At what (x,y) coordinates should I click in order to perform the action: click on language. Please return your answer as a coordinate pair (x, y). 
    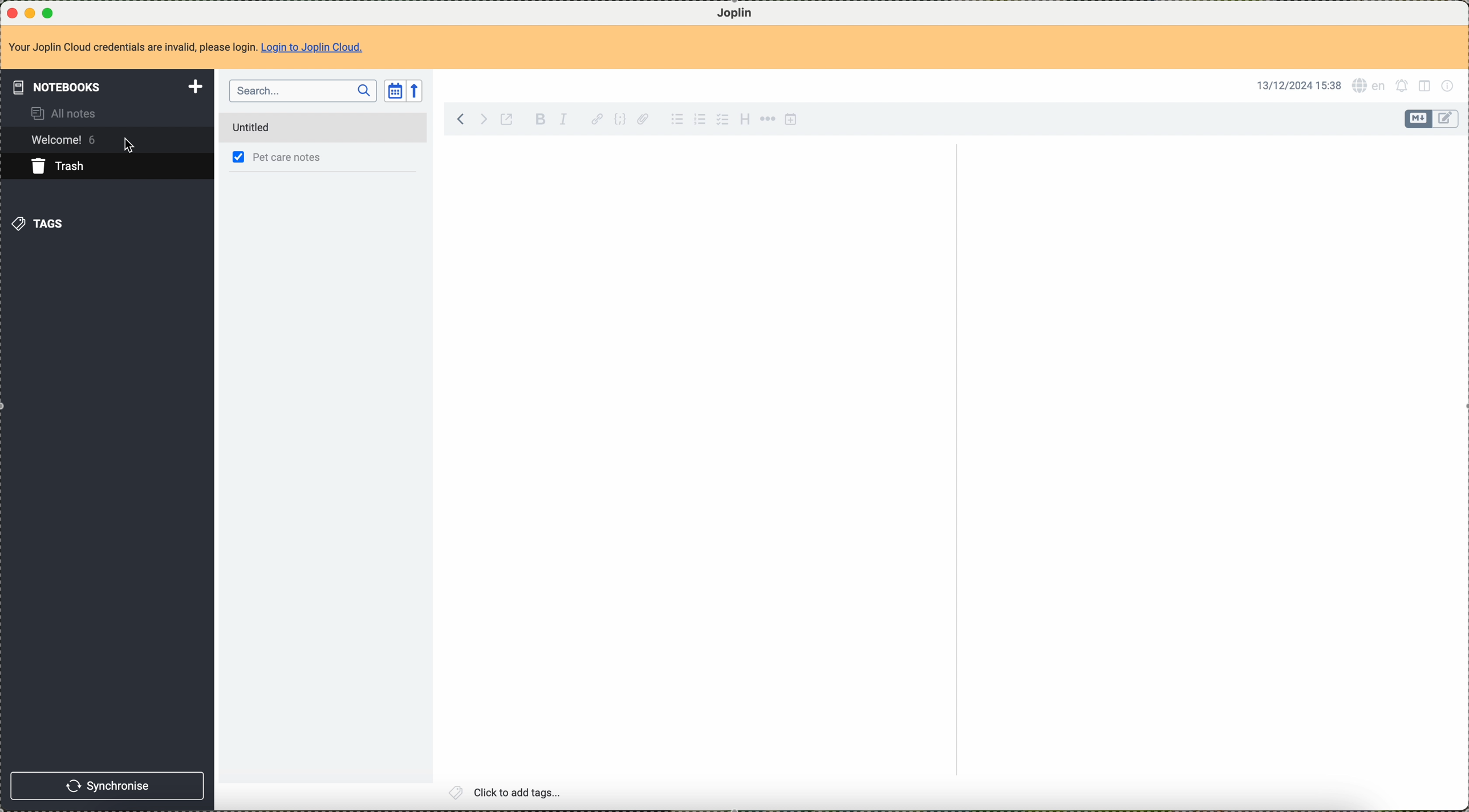
    Looking at the image, I should click on (1370, 86).